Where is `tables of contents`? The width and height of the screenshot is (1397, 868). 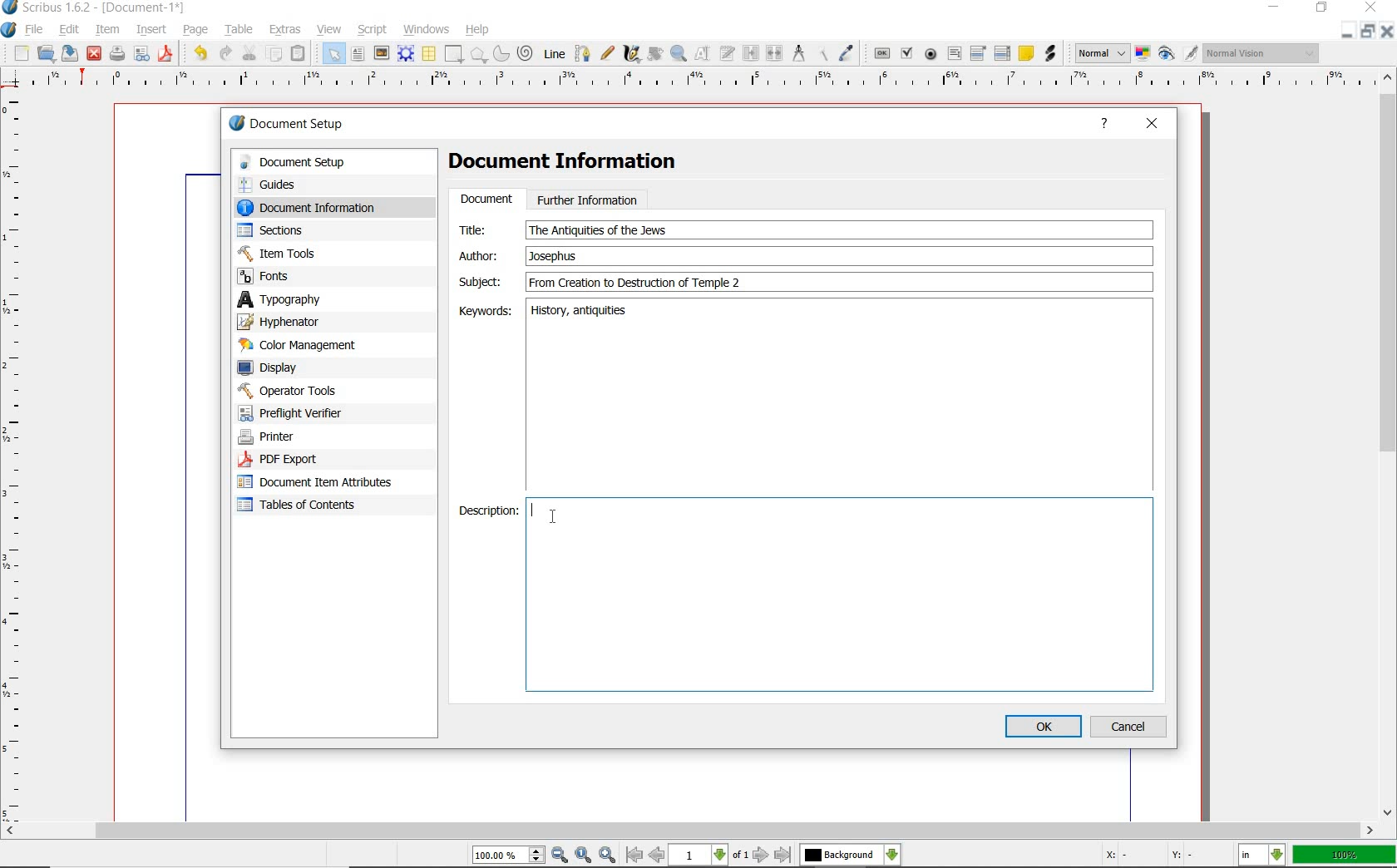
tables of contents is located at coordinates (308, 506).